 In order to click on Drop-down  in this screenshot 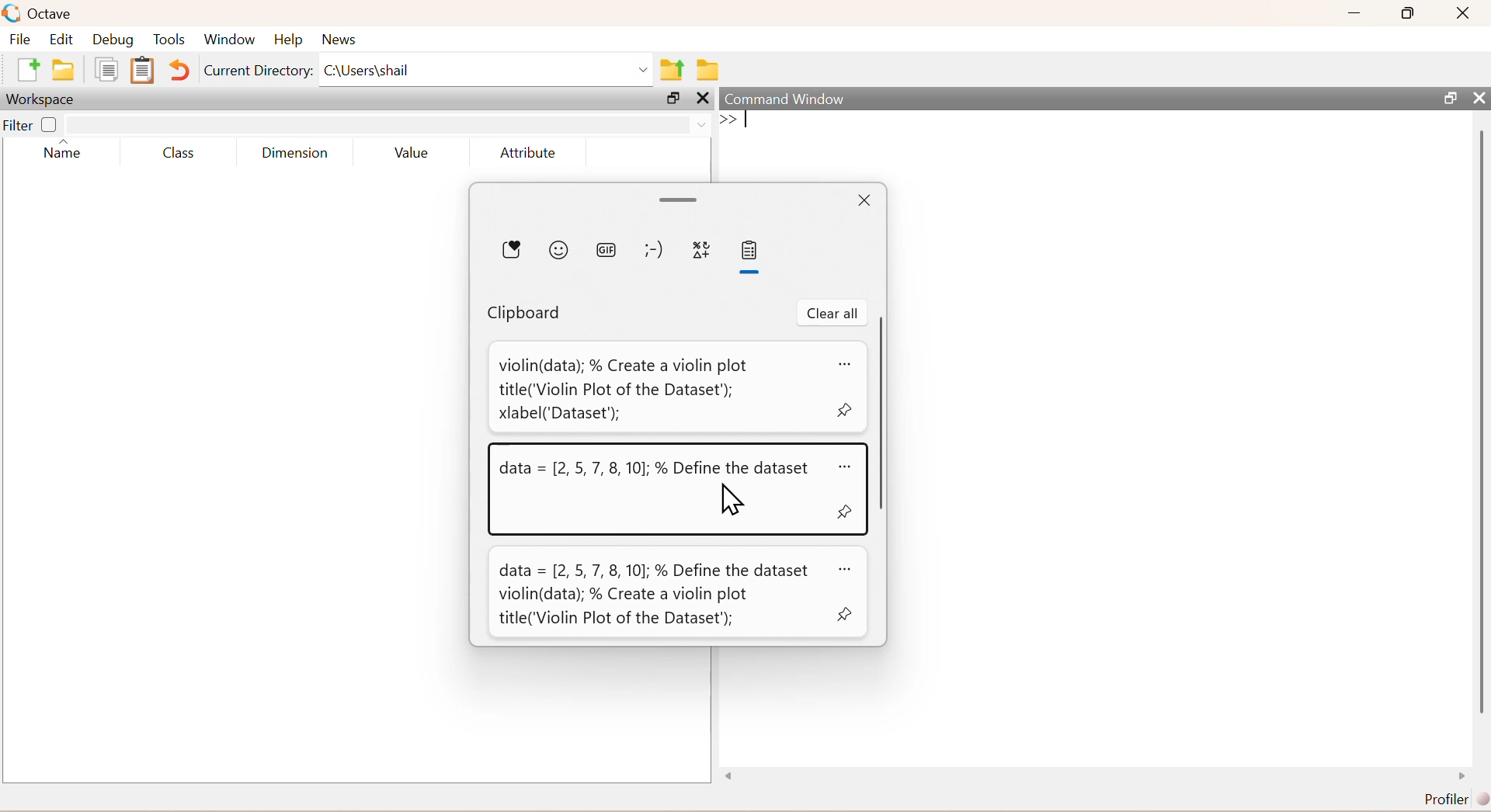, I will do `click(645, 70)`.